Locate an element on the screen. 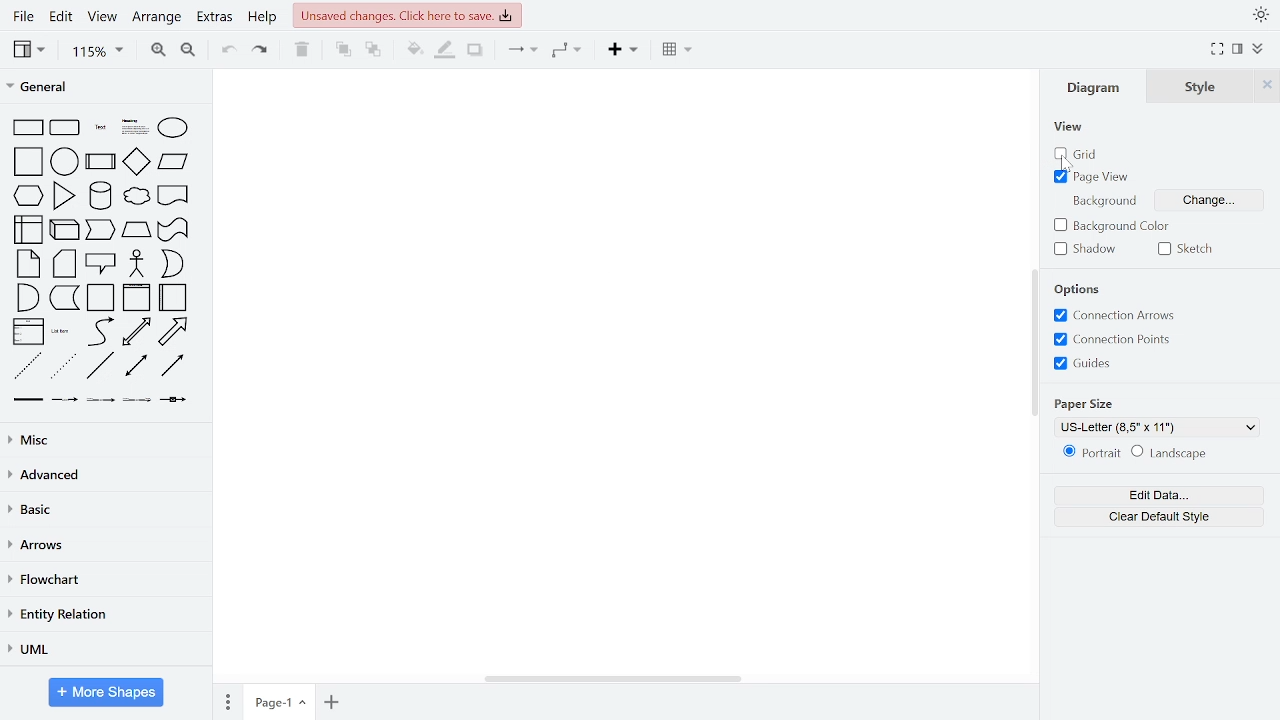 Image resolution: width=1280 pixels, height=720 pixels. unsaved changes. Click here to save is located at coordinates (405, 15).